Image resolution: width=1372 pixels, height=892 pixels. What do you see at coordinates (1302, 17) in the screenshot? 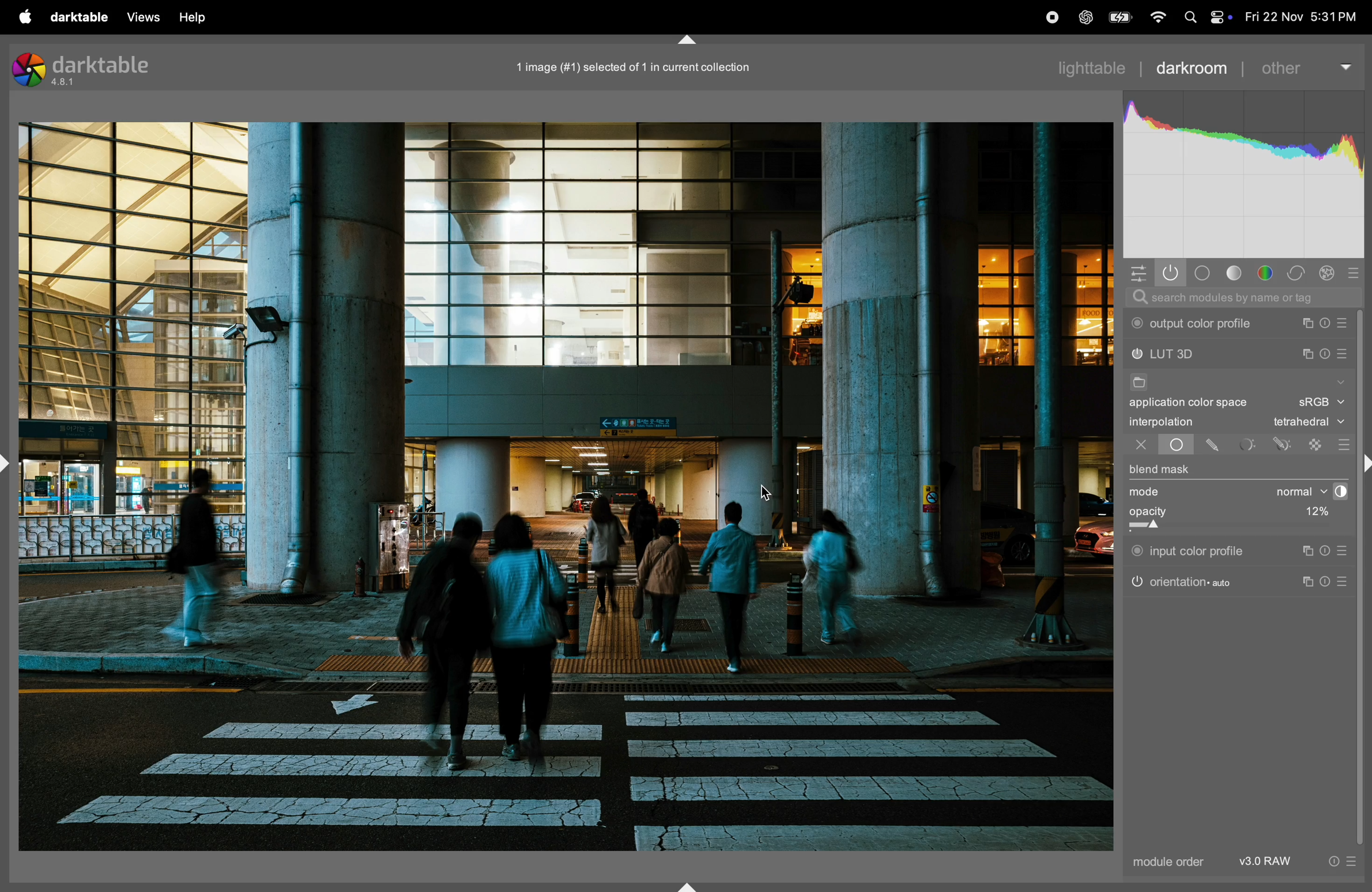
I see `date and time` at bounding box center [1302, 17].